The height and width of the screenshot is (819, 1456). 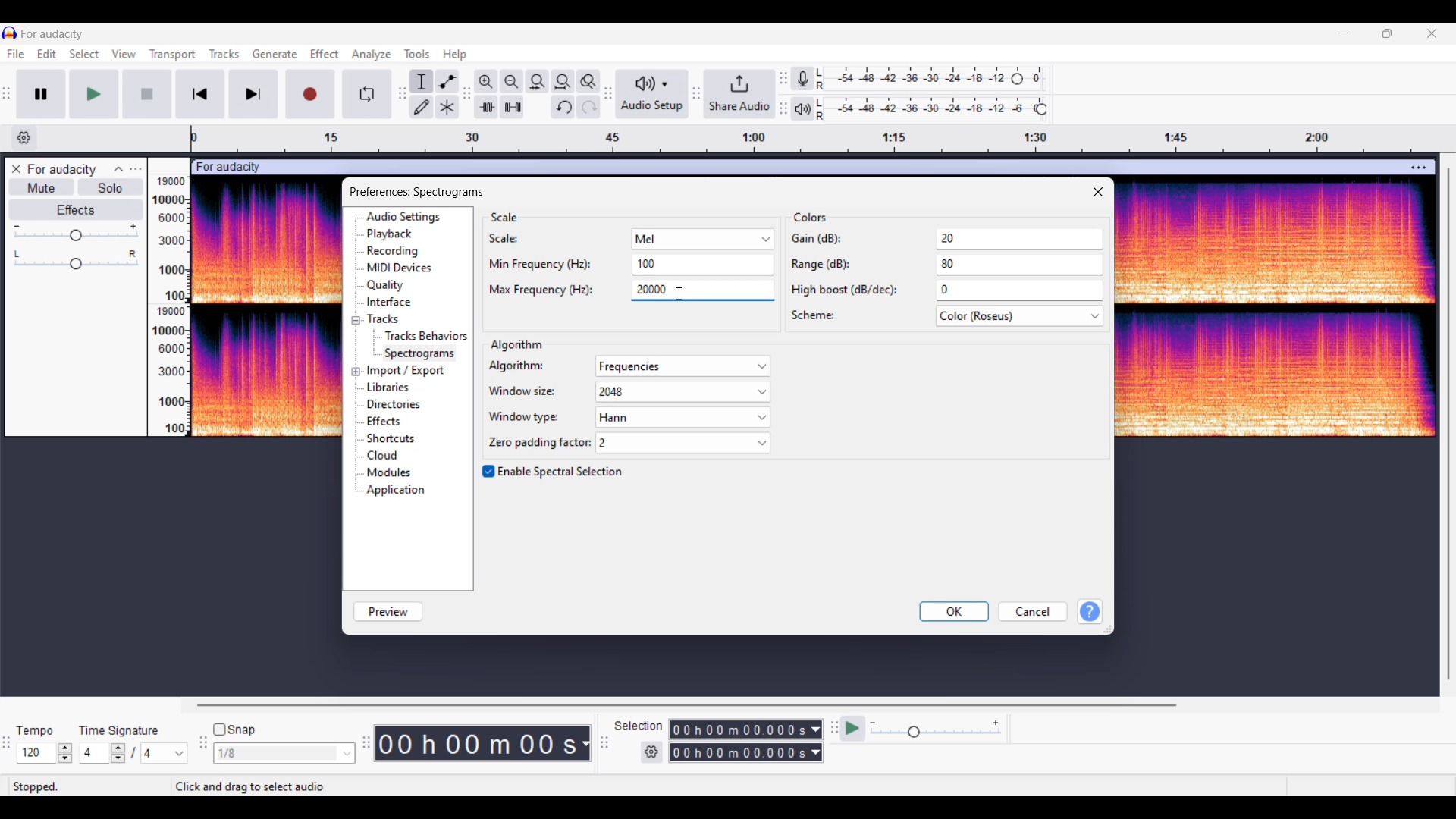 What do you see at coordinates (76, 260) in the screenshot?
I see `Pan slider` at bounding box center [76, 260].